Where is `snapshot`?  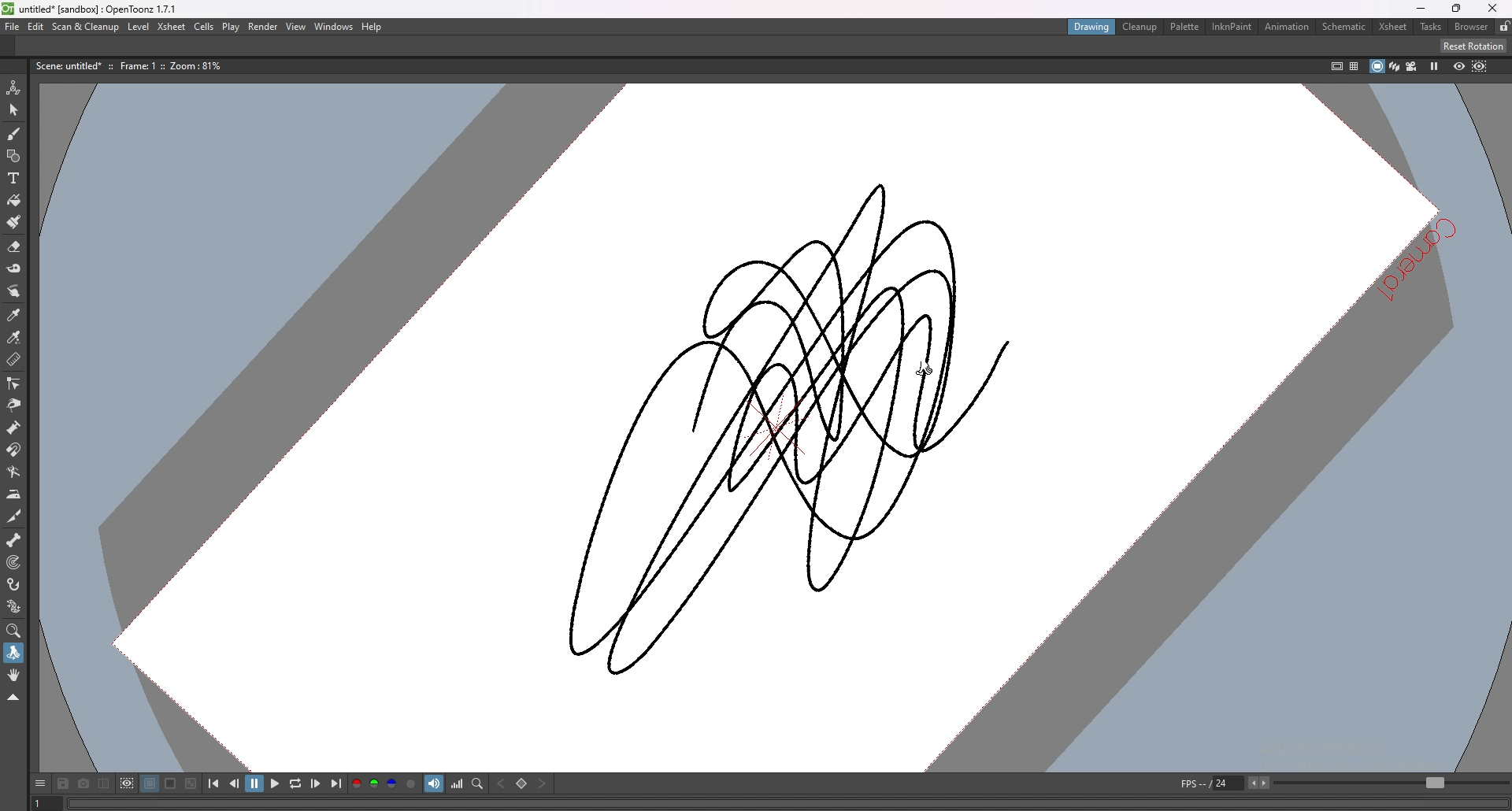
snapshot is located at coordinates (83, 784).